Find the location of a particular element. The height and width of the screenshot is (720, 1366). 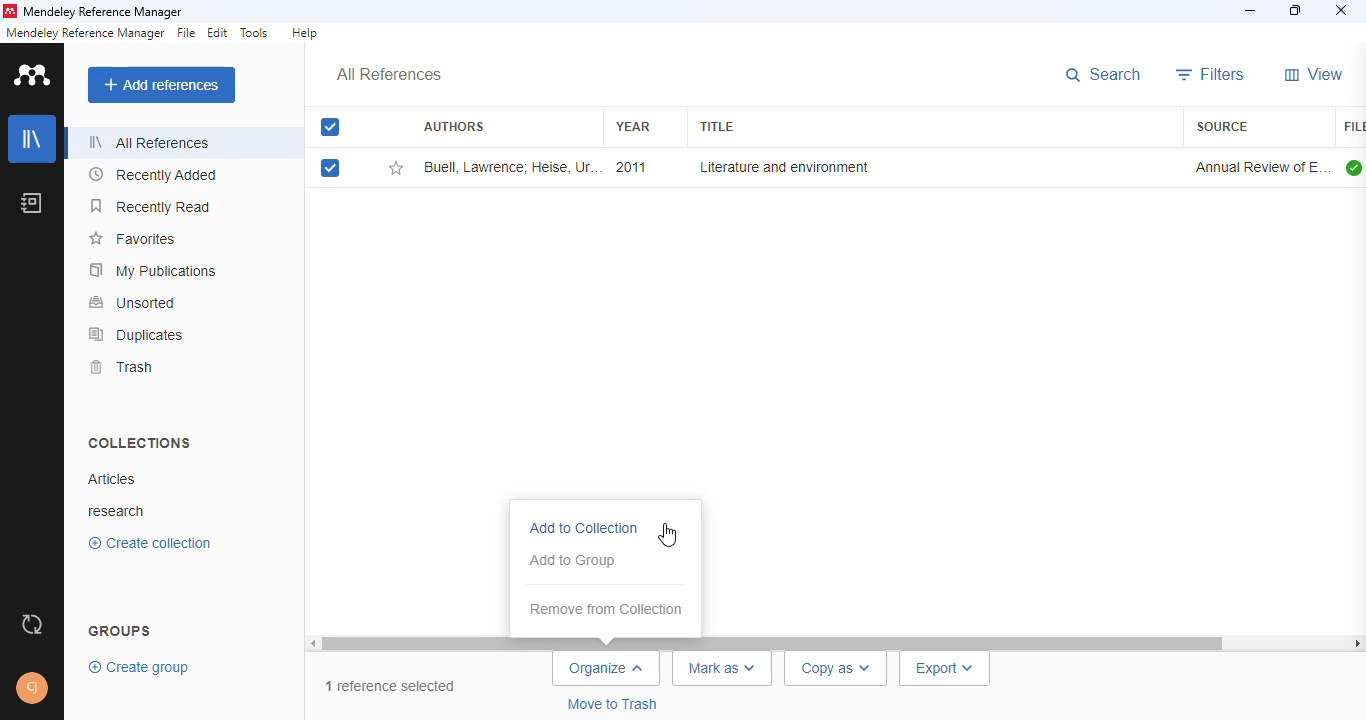

title is located at coordinates (715, 127).